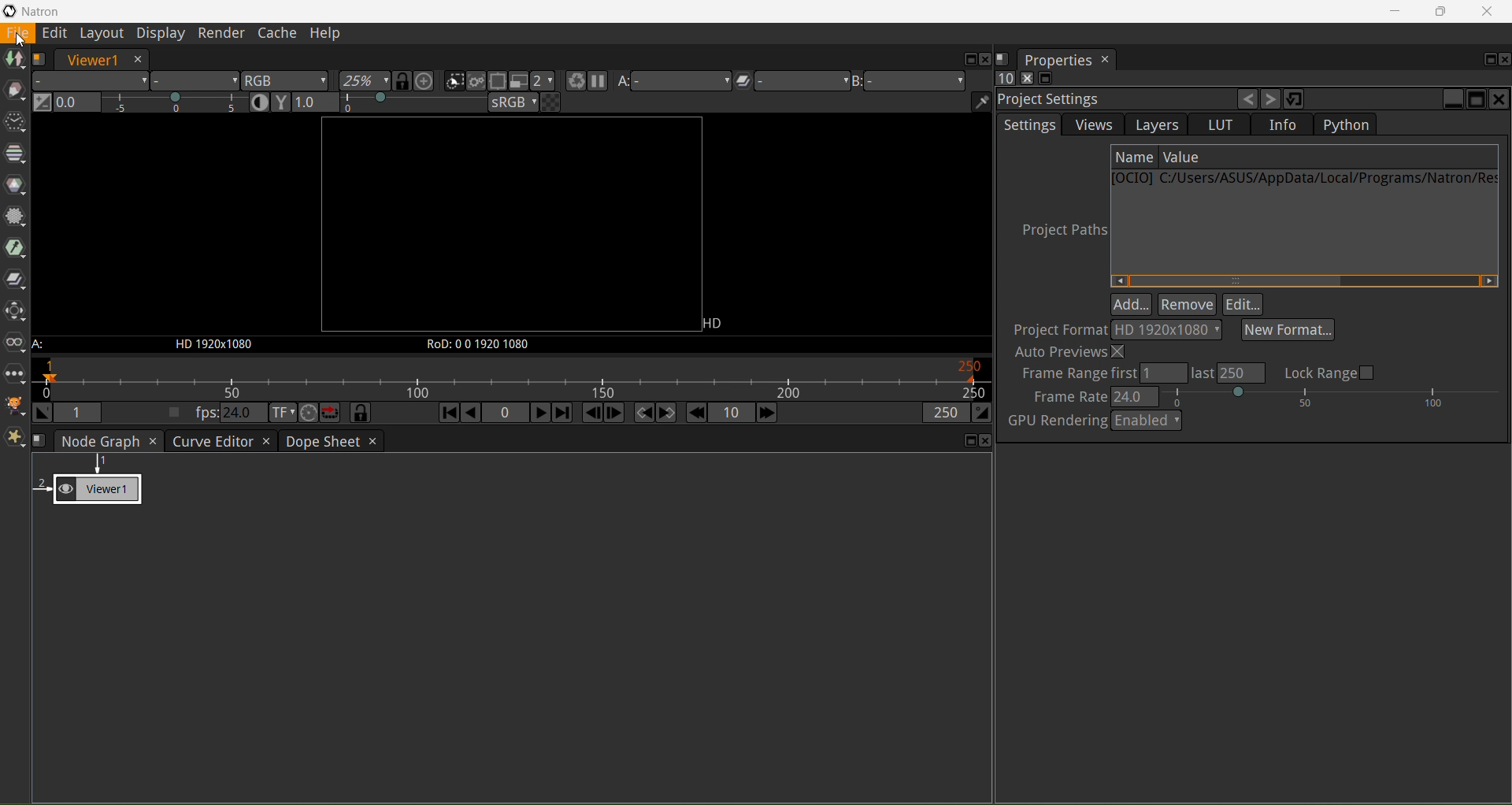  What do you see at coordinates (988, 441) in the screenshot?
I see `Close pane` at bounding box center [988, 441].